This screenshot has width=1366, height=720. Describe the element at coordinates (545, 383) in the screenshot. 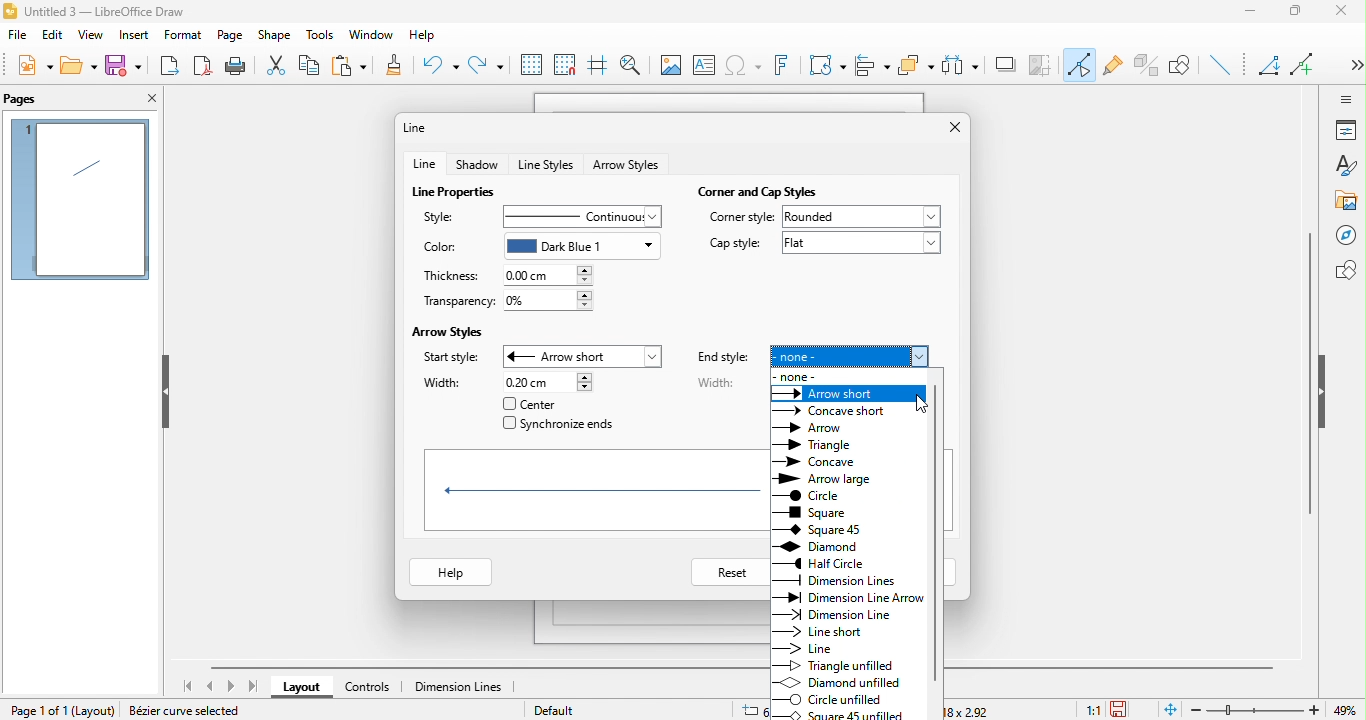

I see `0.20 cm` at that location.